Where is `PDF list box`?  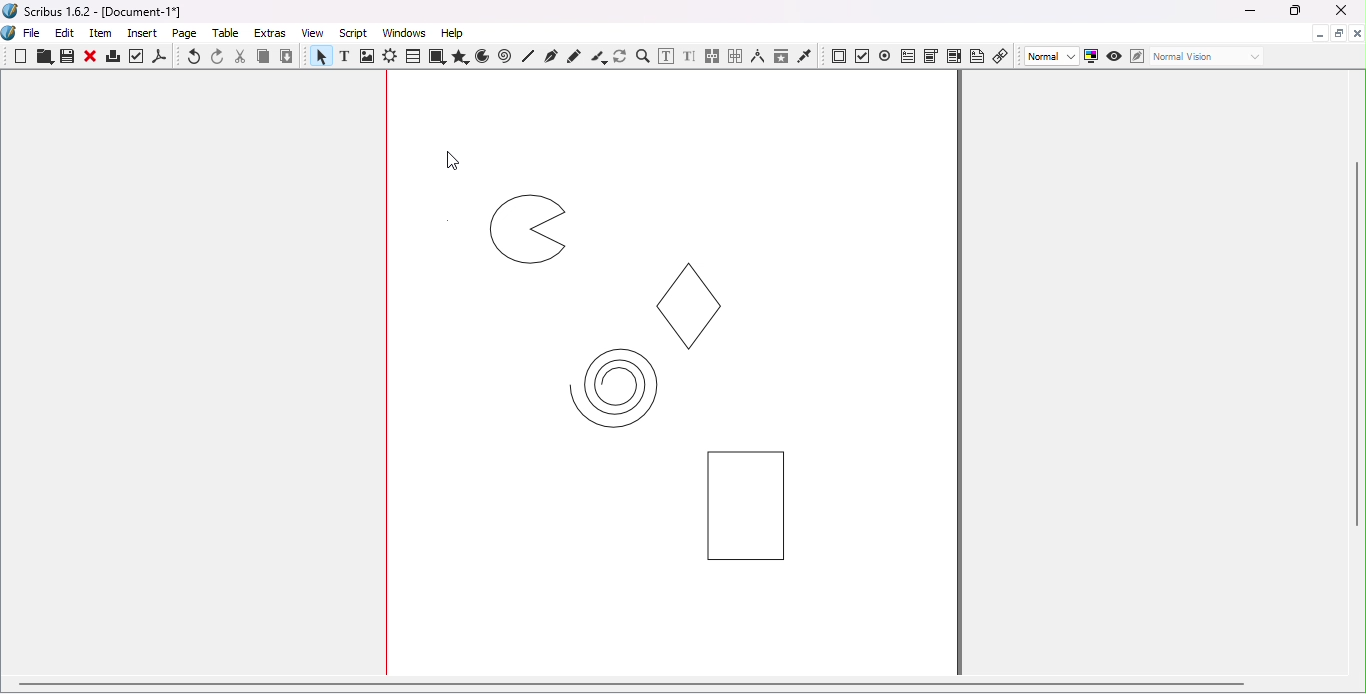 PDF list box is located at coordinates (954, 56).